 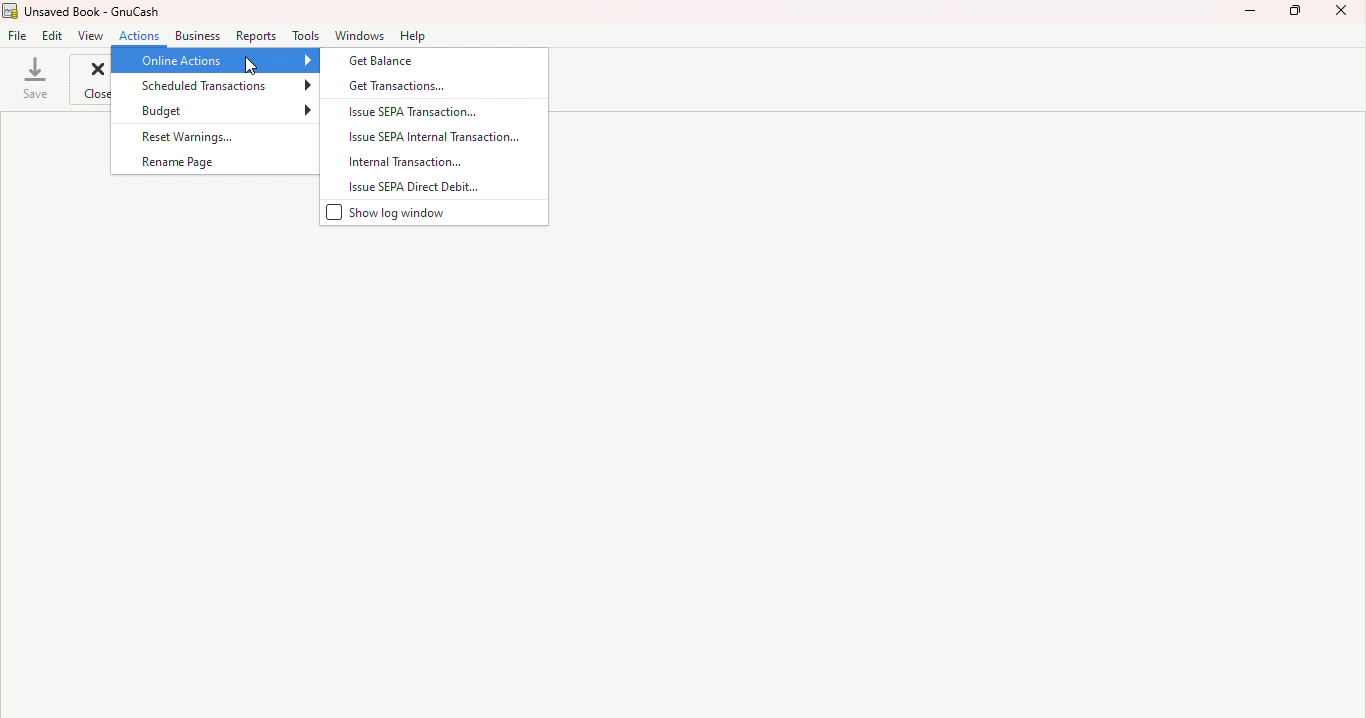 What do you see at coordinates (90, 35) in the screenshot?
I see `view` at bounding box center [90, 35].